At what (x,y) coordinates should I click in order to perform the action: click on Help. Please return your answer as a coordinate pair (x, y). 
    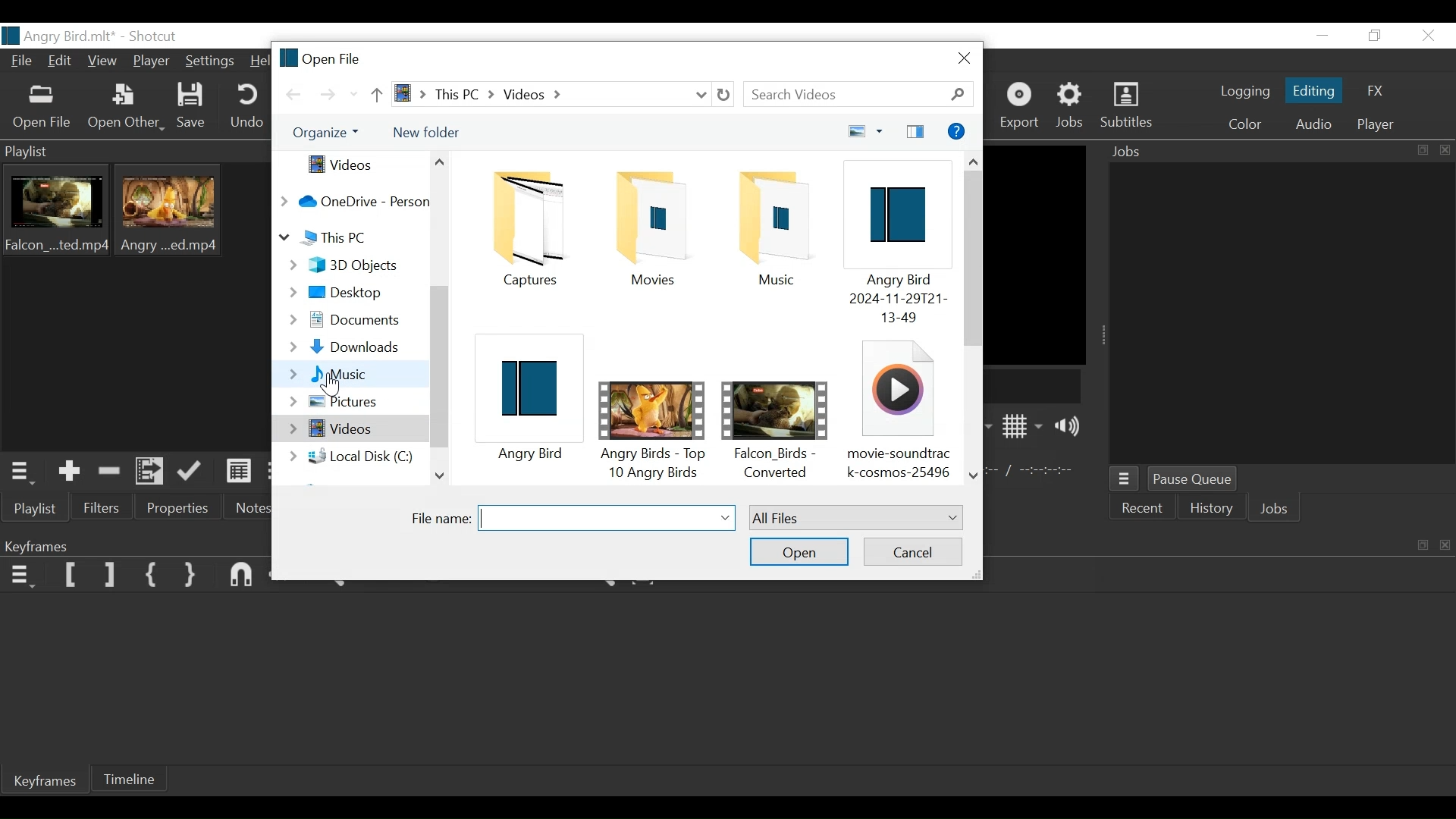
    Looking at the image, I should click on (957, 130).